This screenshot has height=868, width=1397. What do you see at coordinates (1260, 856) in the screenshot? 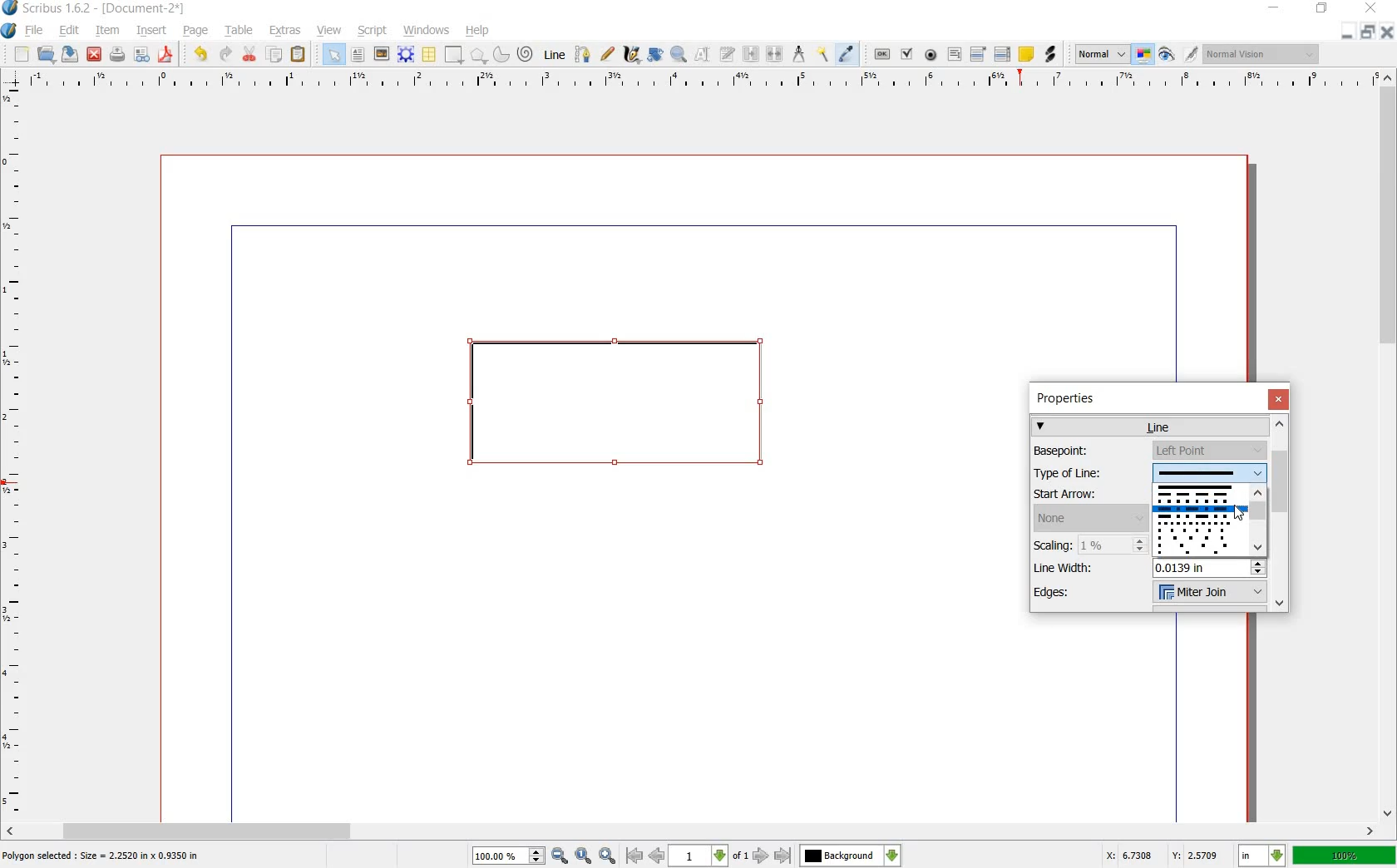
I see `select current unit` at bounding box center [1260, 856].